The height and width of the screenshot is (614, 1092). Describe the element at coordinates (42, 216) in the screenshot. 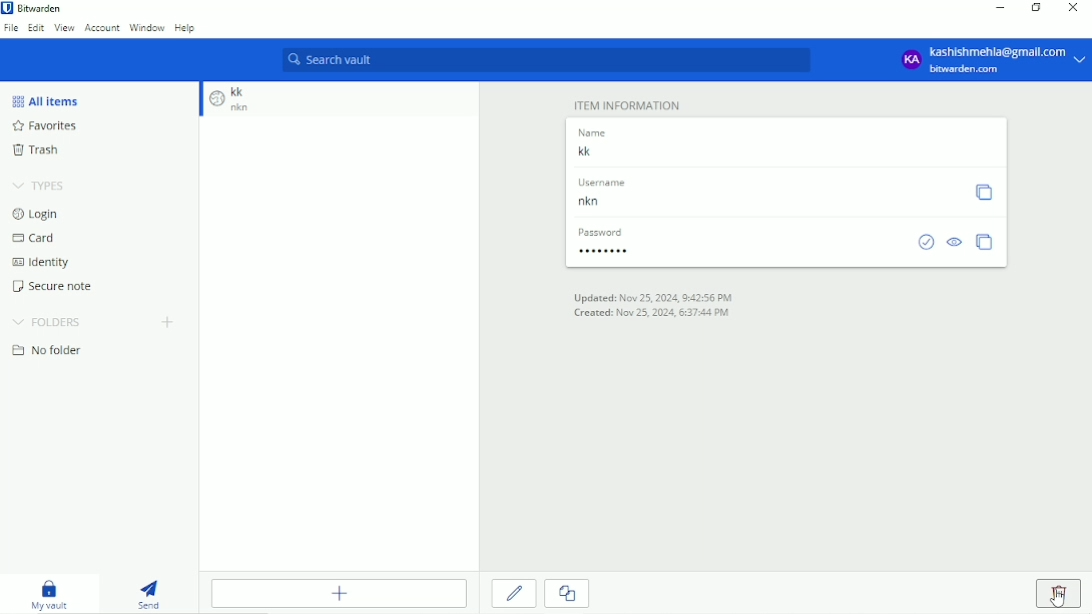

I see `Login` at that location.